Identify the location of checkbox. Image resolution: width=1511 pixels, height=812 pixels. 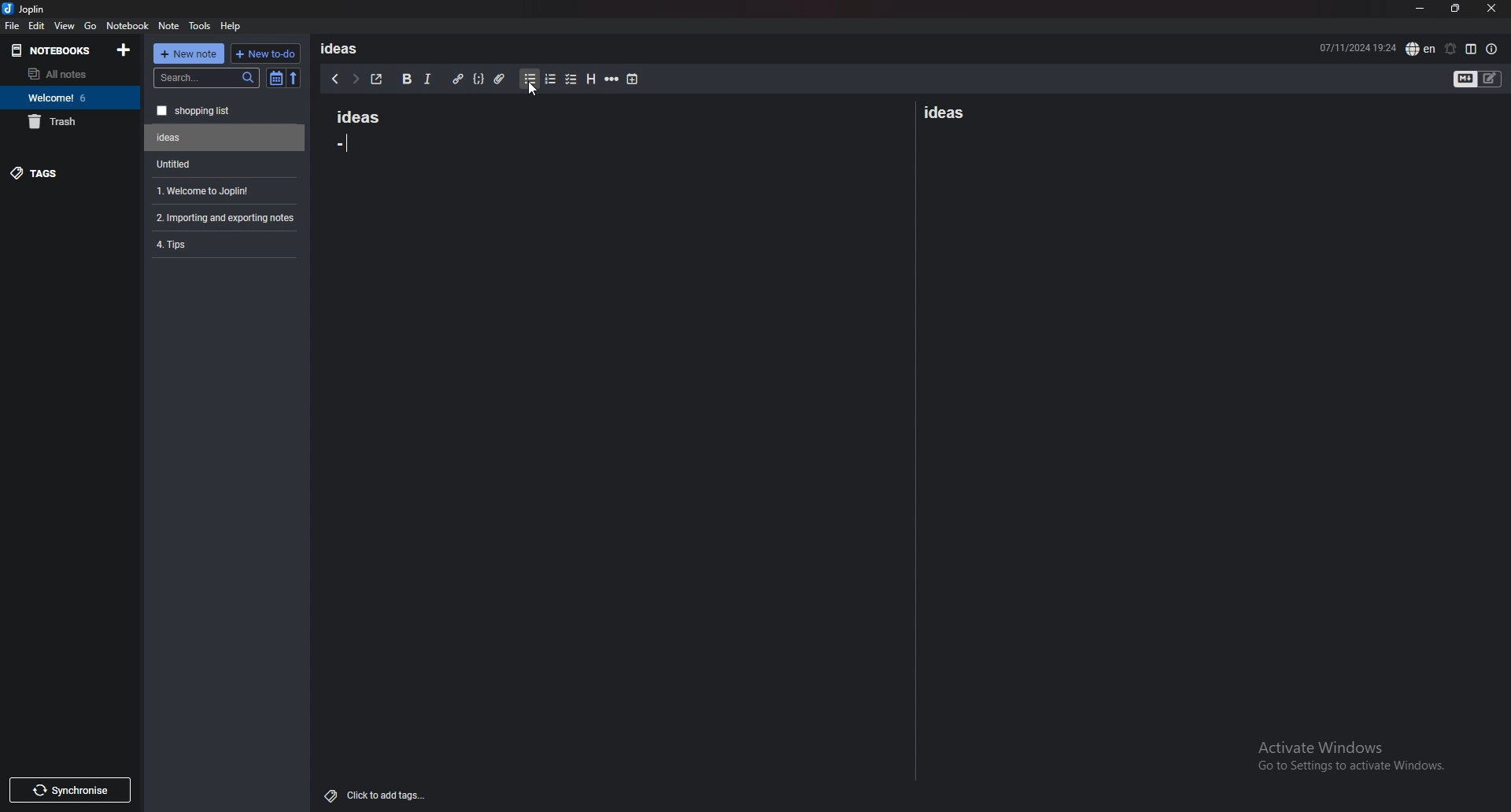
(571, 80).